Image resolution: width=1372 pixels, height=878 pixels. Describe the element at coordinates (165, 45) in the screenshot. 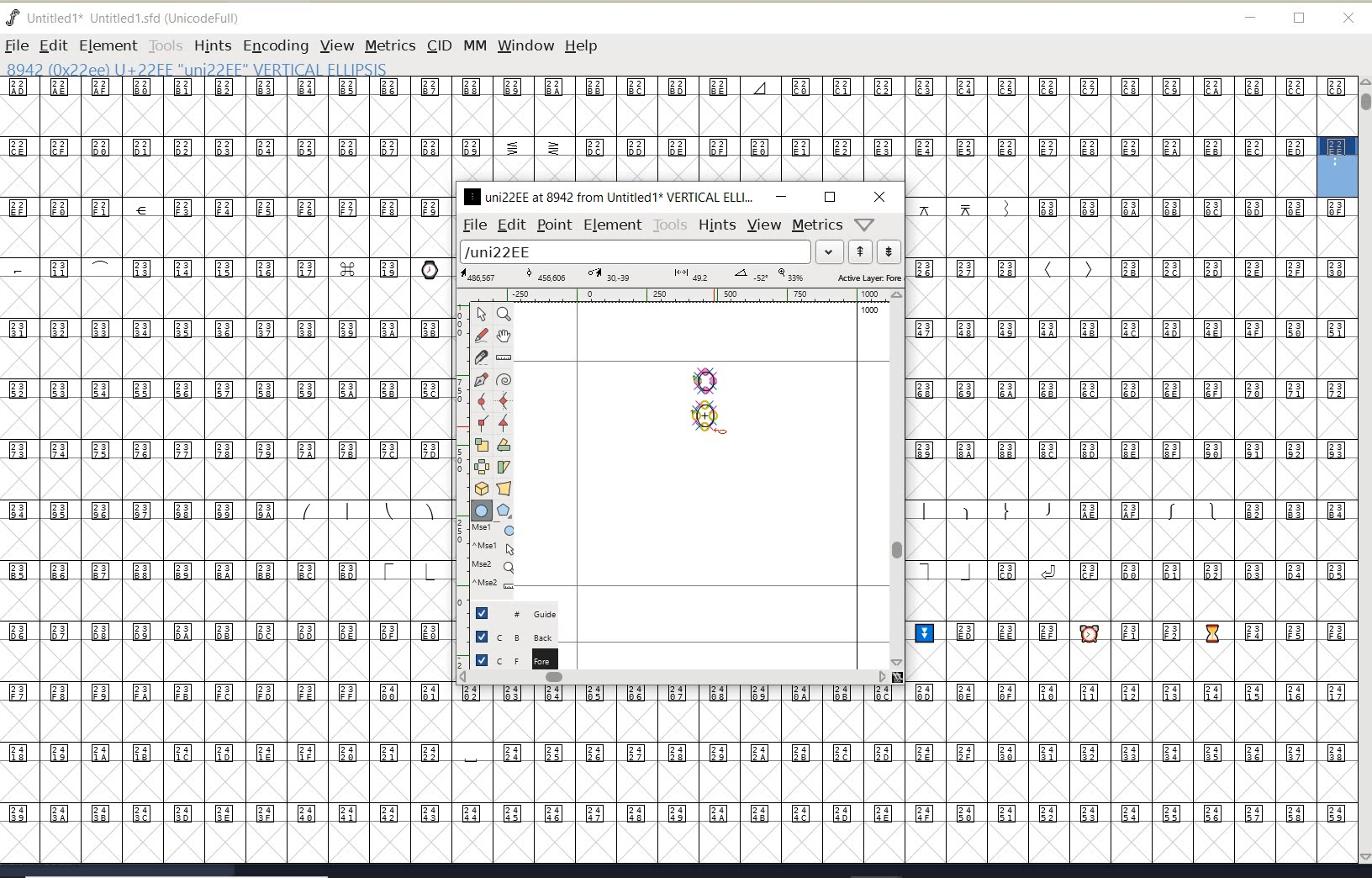

I see `TOOLS` at that location.